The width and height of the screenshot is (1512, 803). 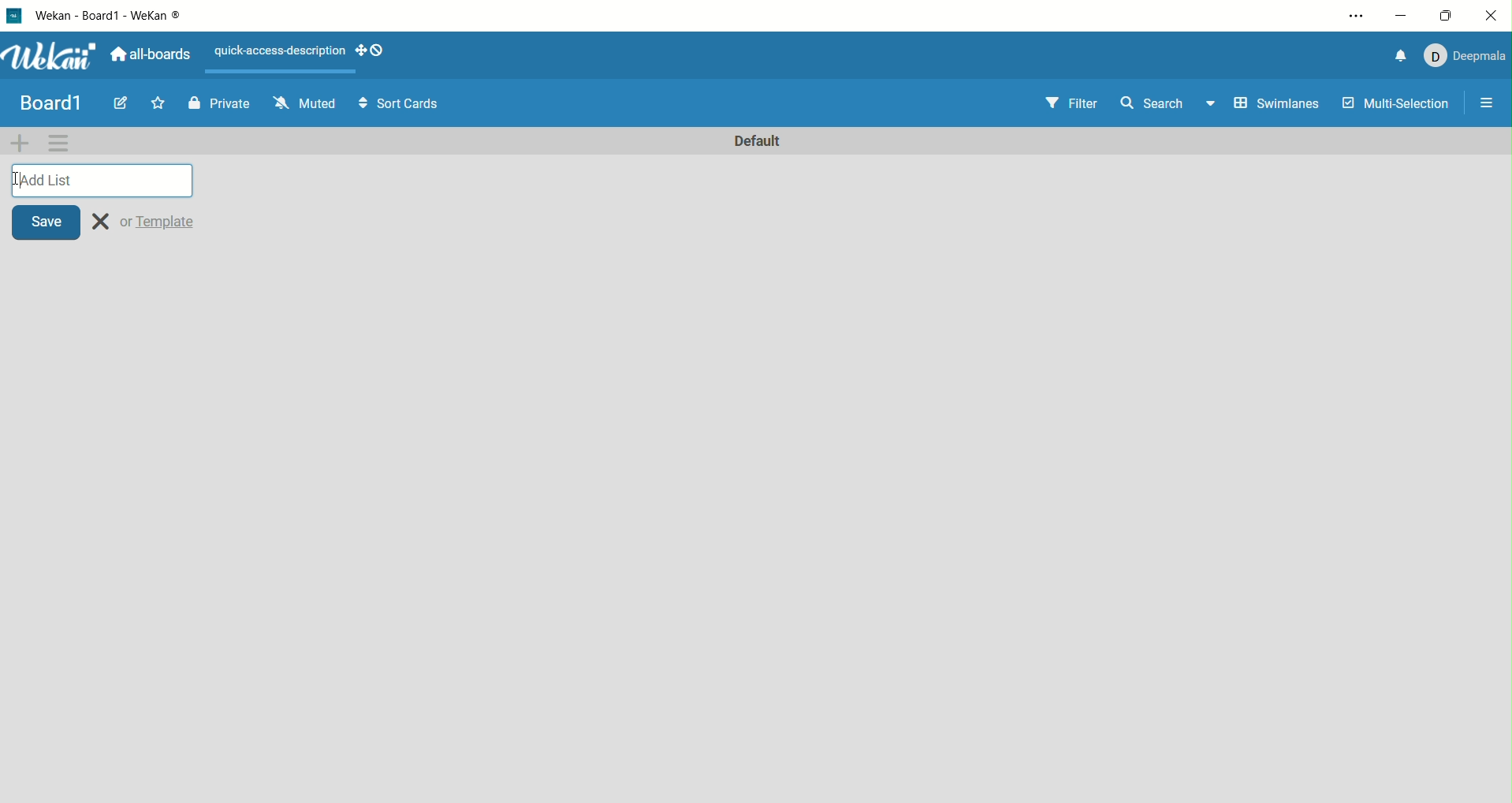 What do you see at coordinates (48, 222) in the screenshot?
I see `save` at bounding box center [48, 222].